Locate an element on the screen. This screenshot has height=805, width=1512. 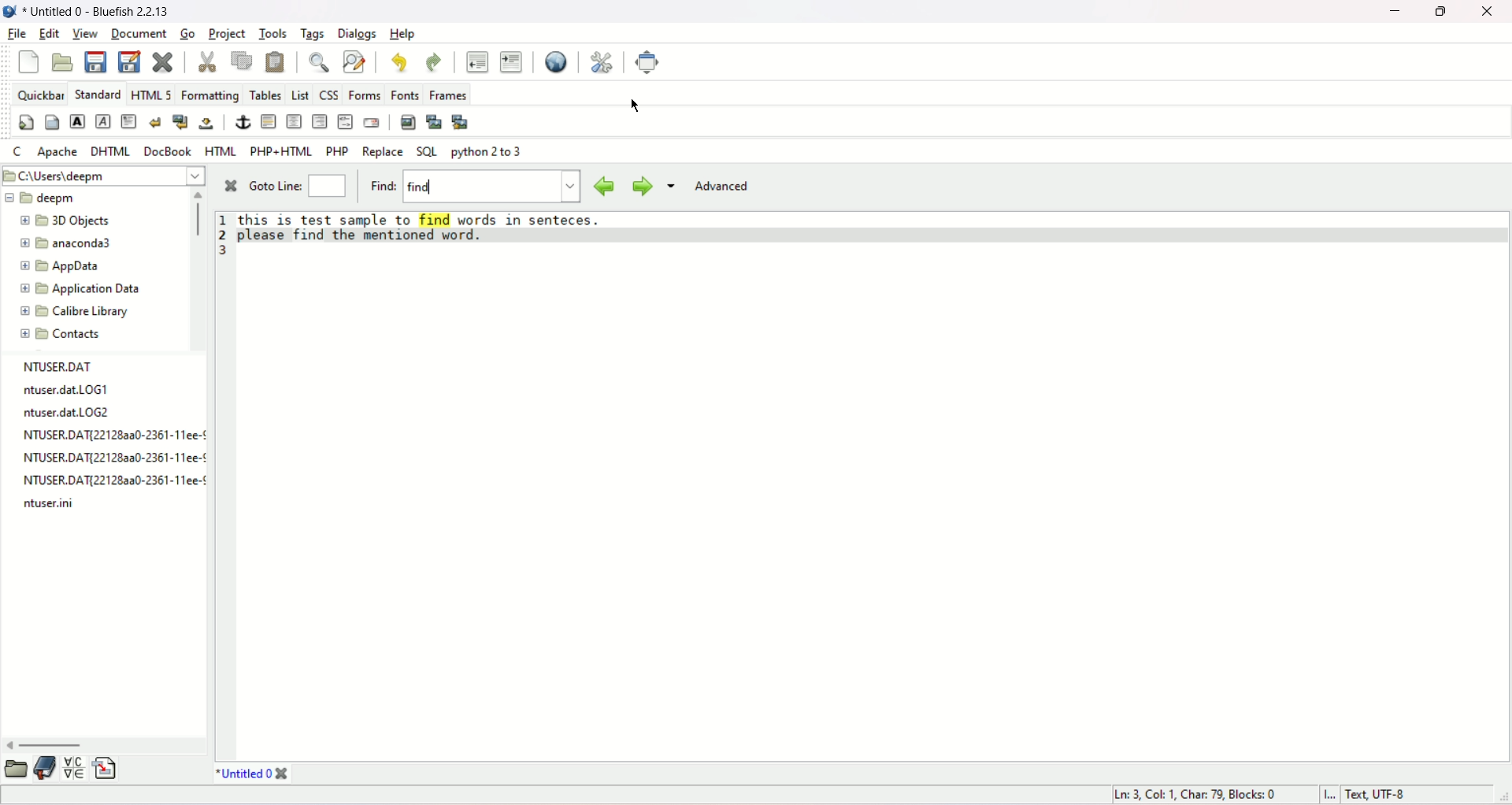
CSS is located at coordinates (331, 93).